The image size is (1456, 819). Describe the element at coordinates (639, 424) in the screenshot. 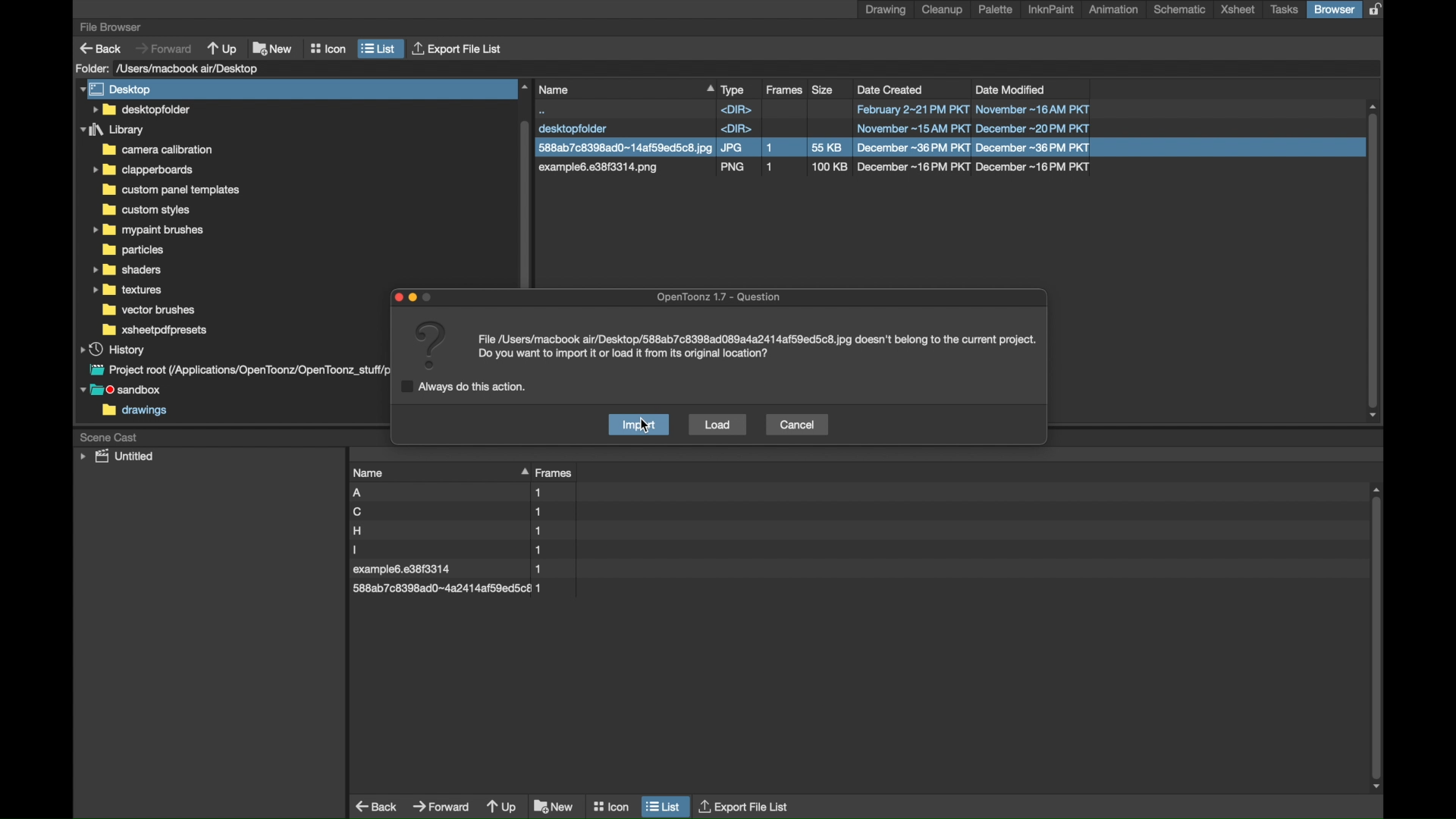

I see `import` at that location.